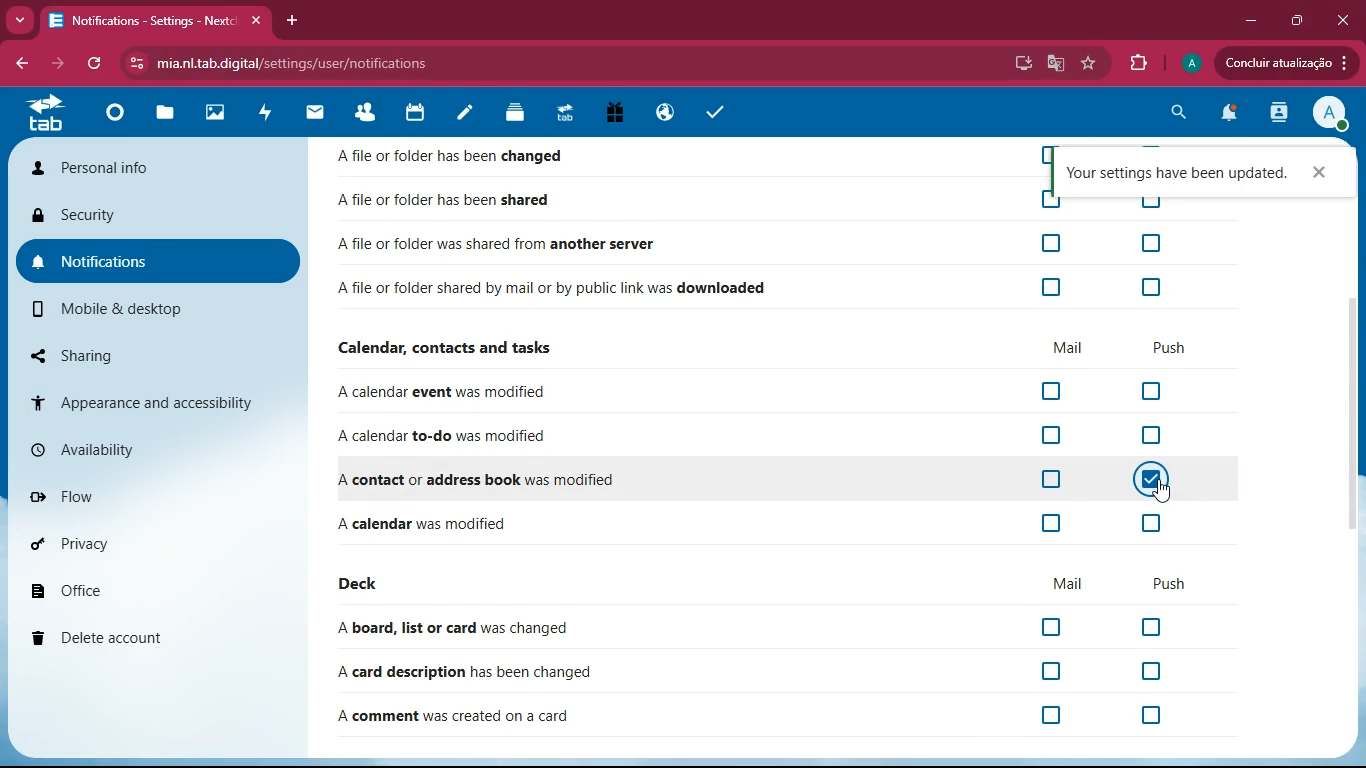 The height and width of the screenshot is (768, 1366). Describe the element at coordinates (1357, 413) in the screenshot. I see `Scrollbar` at that location.